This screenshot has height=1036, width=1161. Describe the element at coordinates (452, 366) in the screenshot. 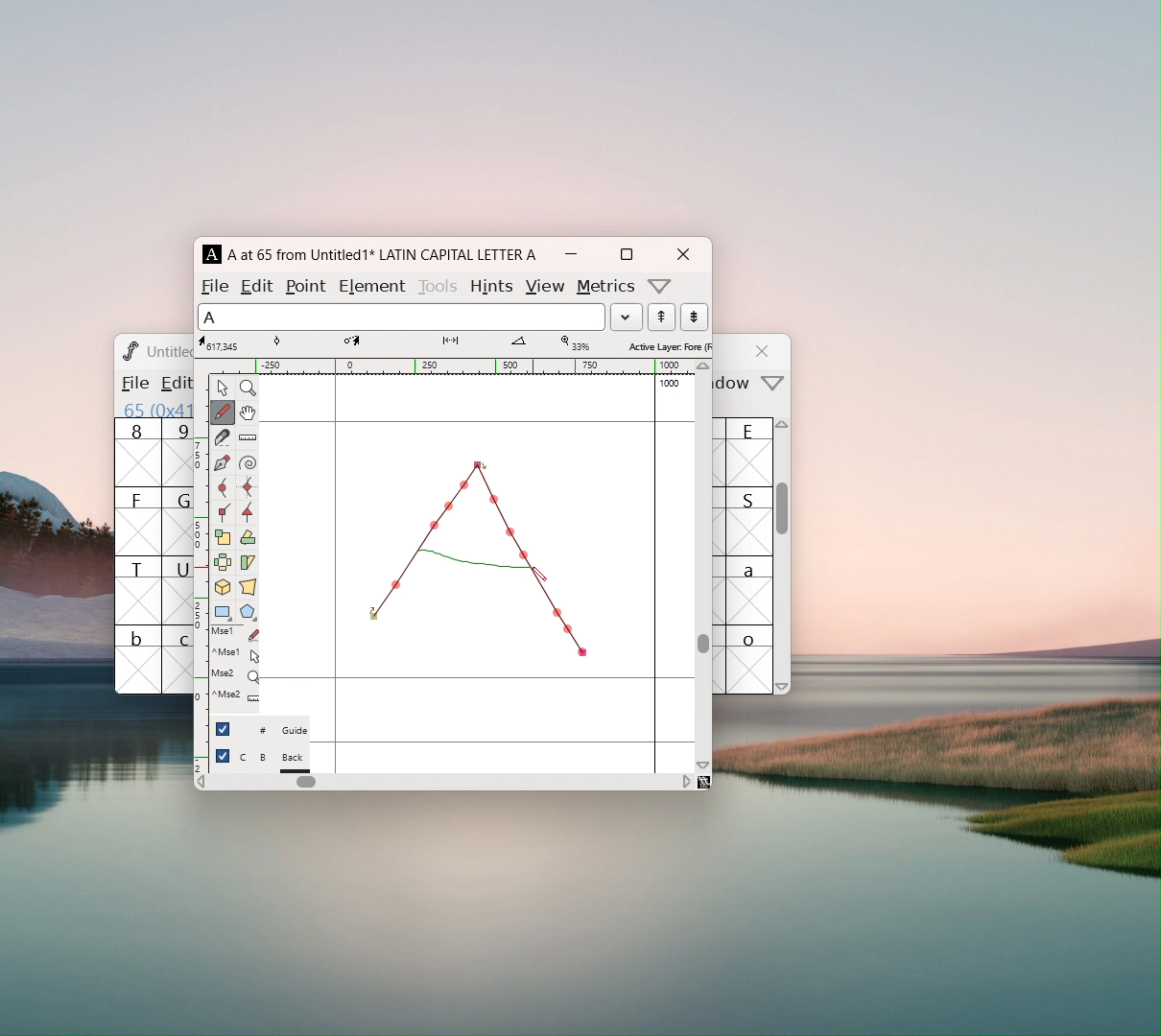

I see `horizontal ruler` at that location.